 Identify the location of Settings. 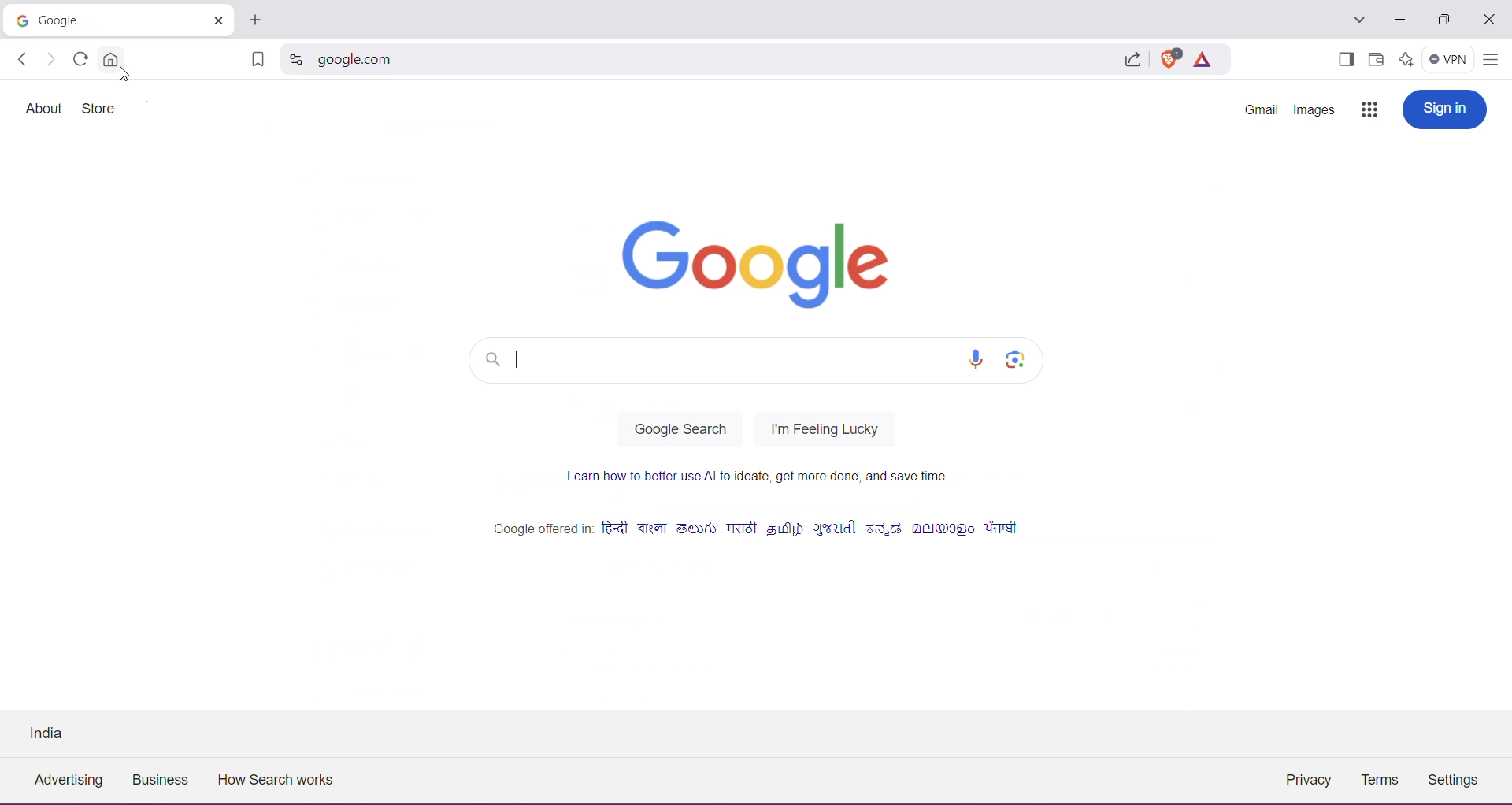
(1458, 782).